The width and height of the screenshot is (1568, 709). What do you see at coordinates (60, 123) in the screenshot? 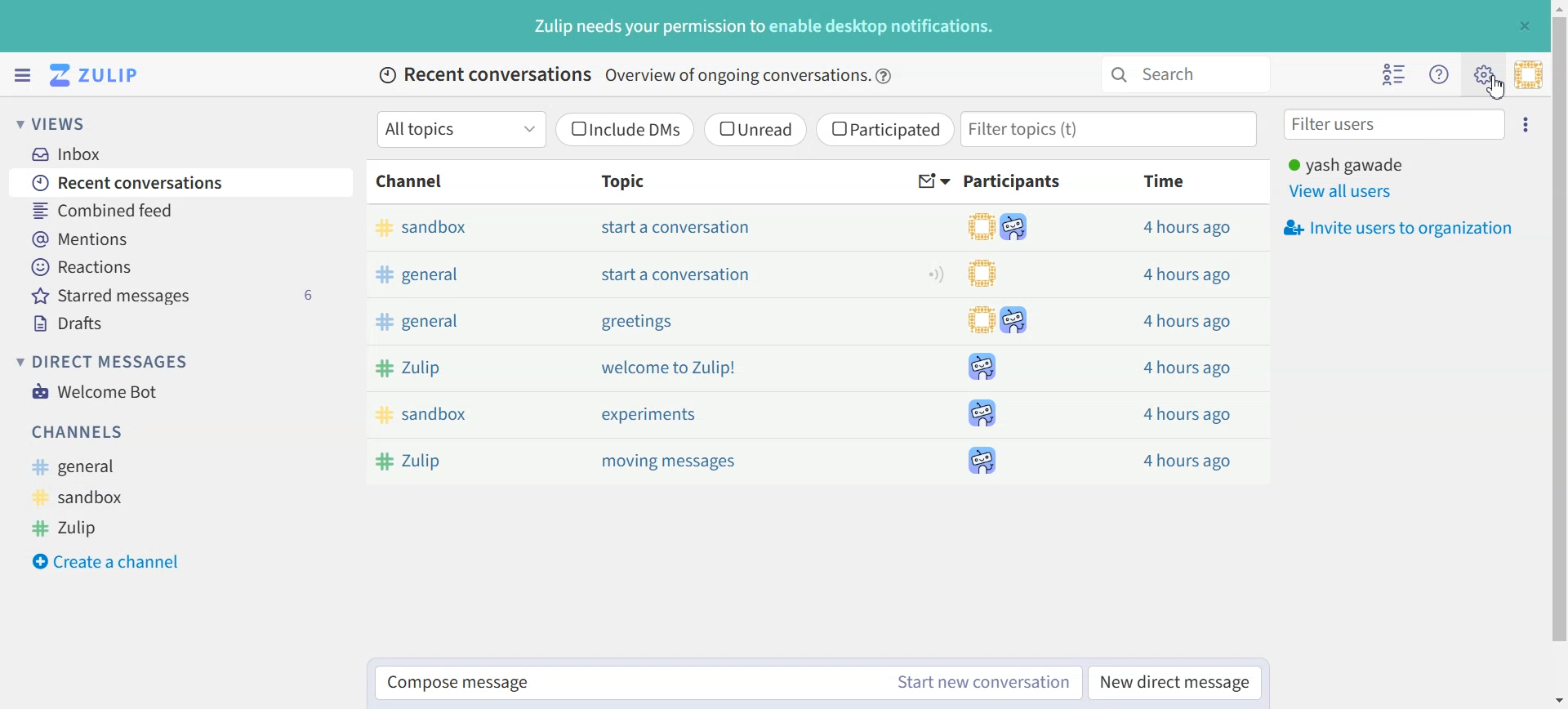
I see `Views` at bounding box center [60, 123].